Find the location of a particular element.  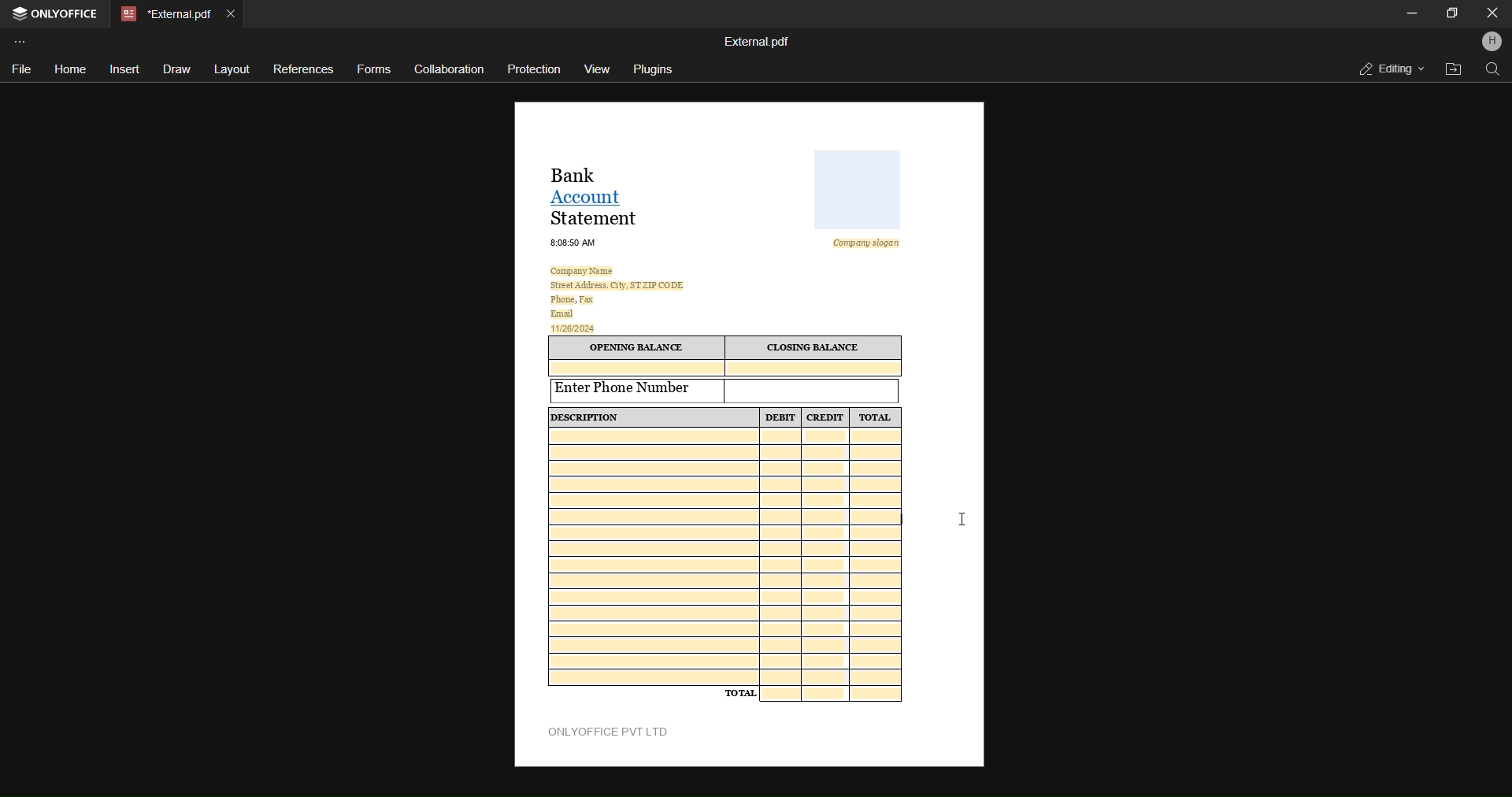

DESCRIPTION is located at coordinates (595, 417).